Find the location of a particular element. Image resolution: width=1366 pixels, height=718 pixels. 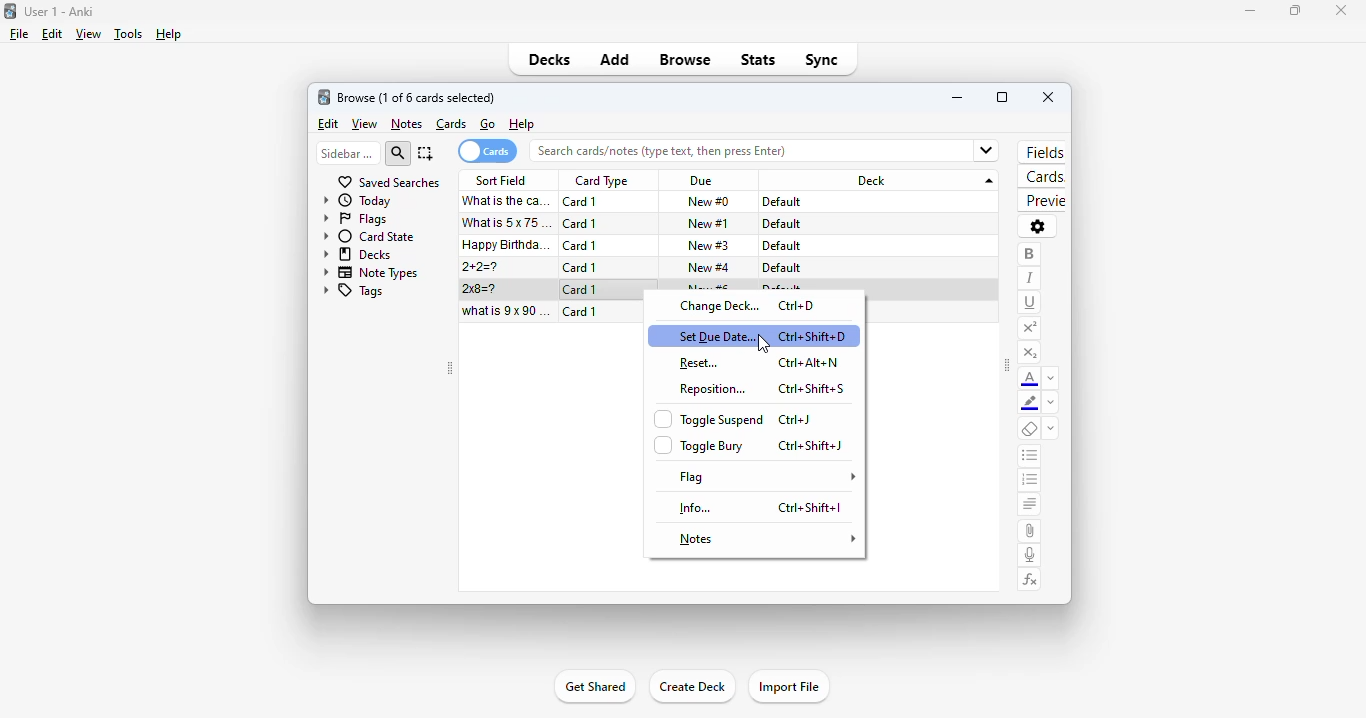

set due date is located at coordinates (715, 337).